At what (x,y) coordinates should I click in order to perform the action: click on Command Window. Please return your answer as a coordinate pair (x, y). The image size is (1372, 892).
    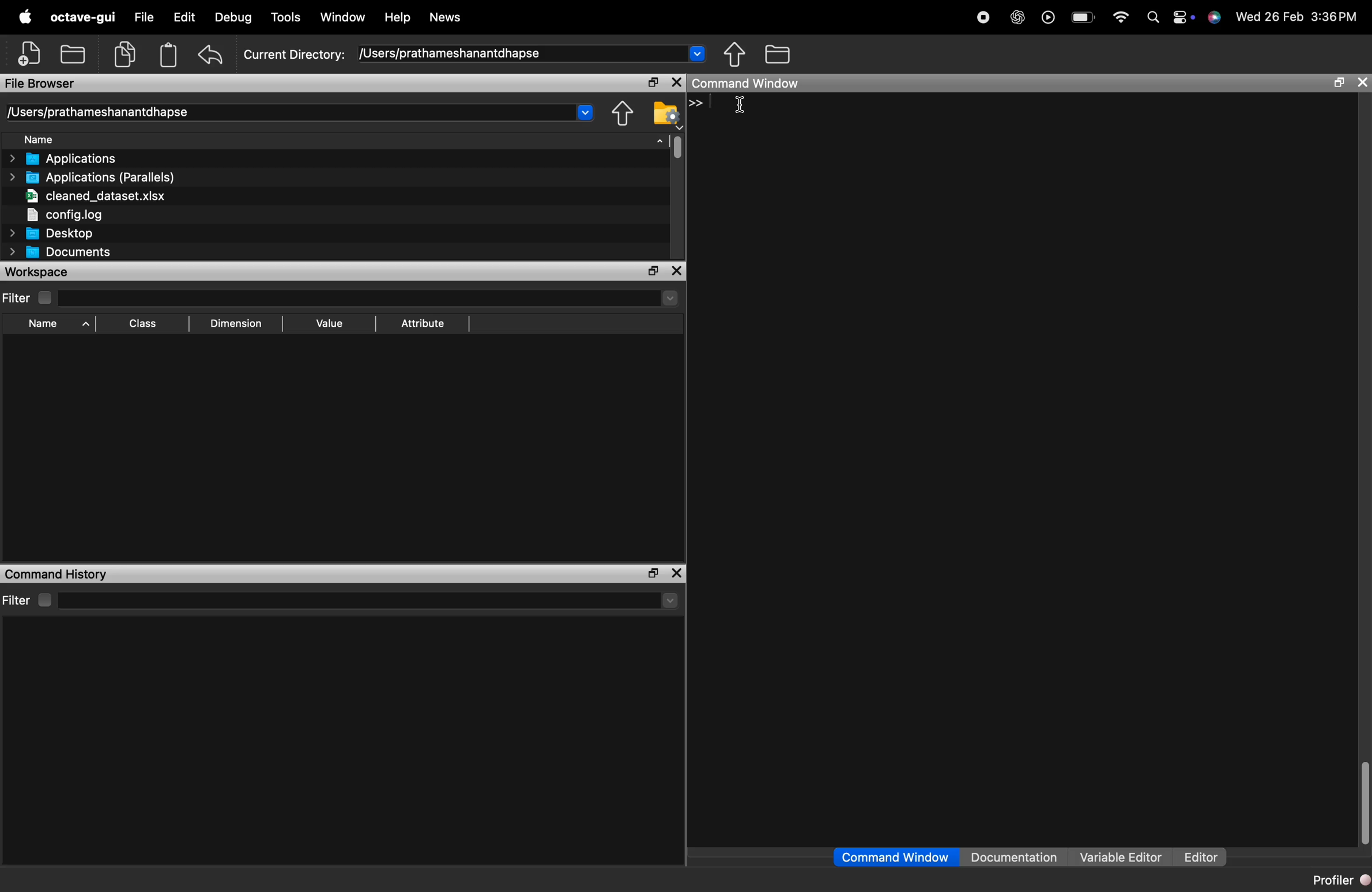
    Looking at the image, I should click on (891, 857).